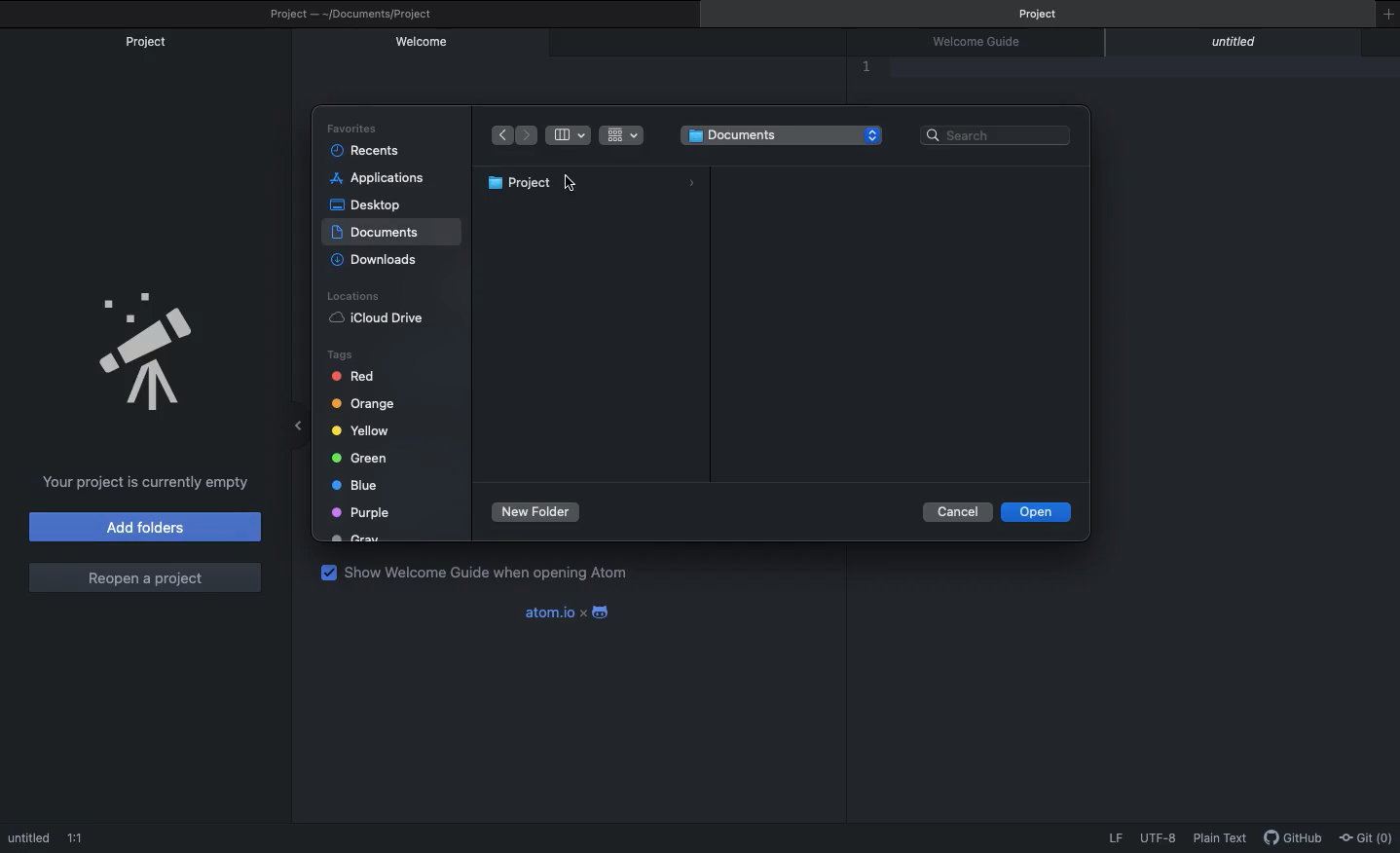  I want to click on Editor, so click(894, 71).